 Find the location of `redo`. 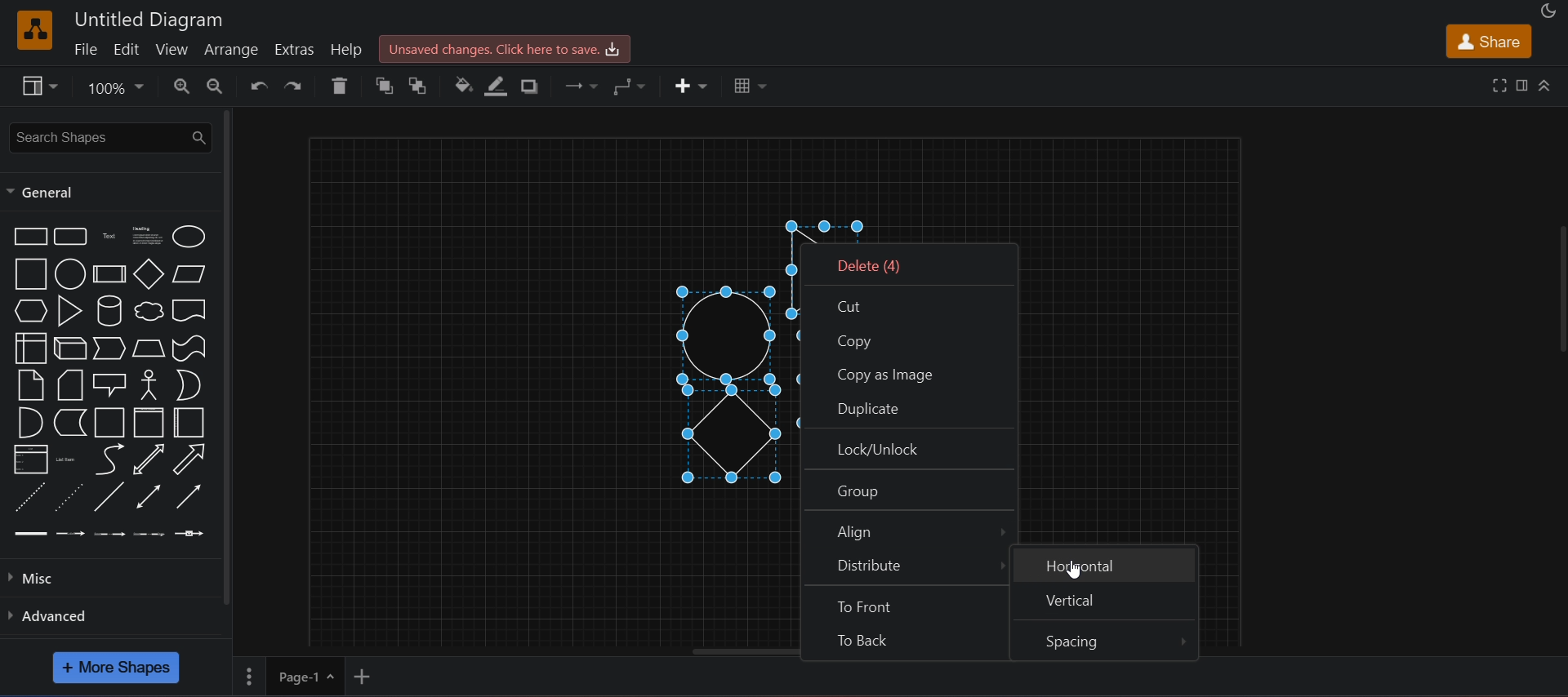

redo is located at coordinates (299, 86).